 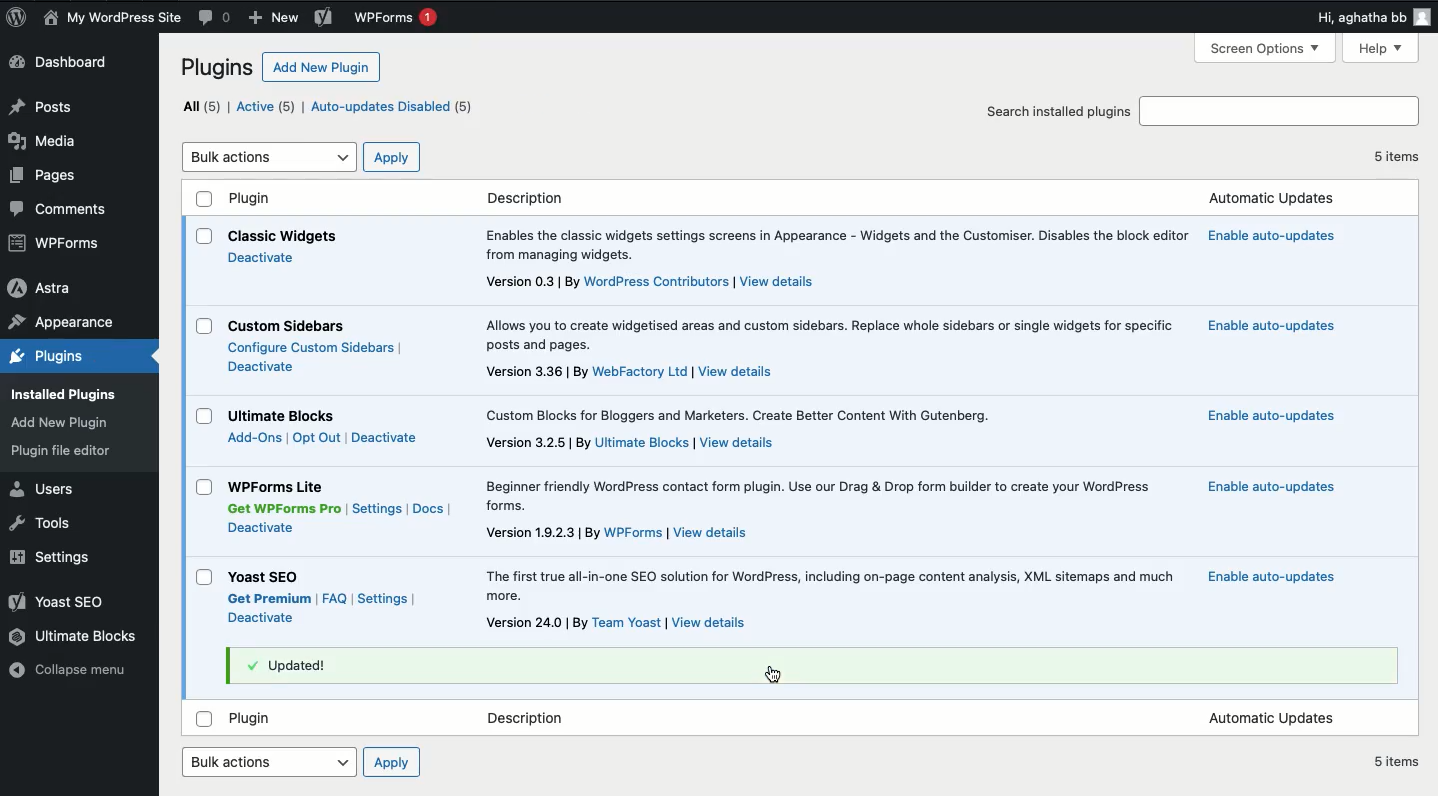 I want to click on Plugin, so click(x=287, y=416).